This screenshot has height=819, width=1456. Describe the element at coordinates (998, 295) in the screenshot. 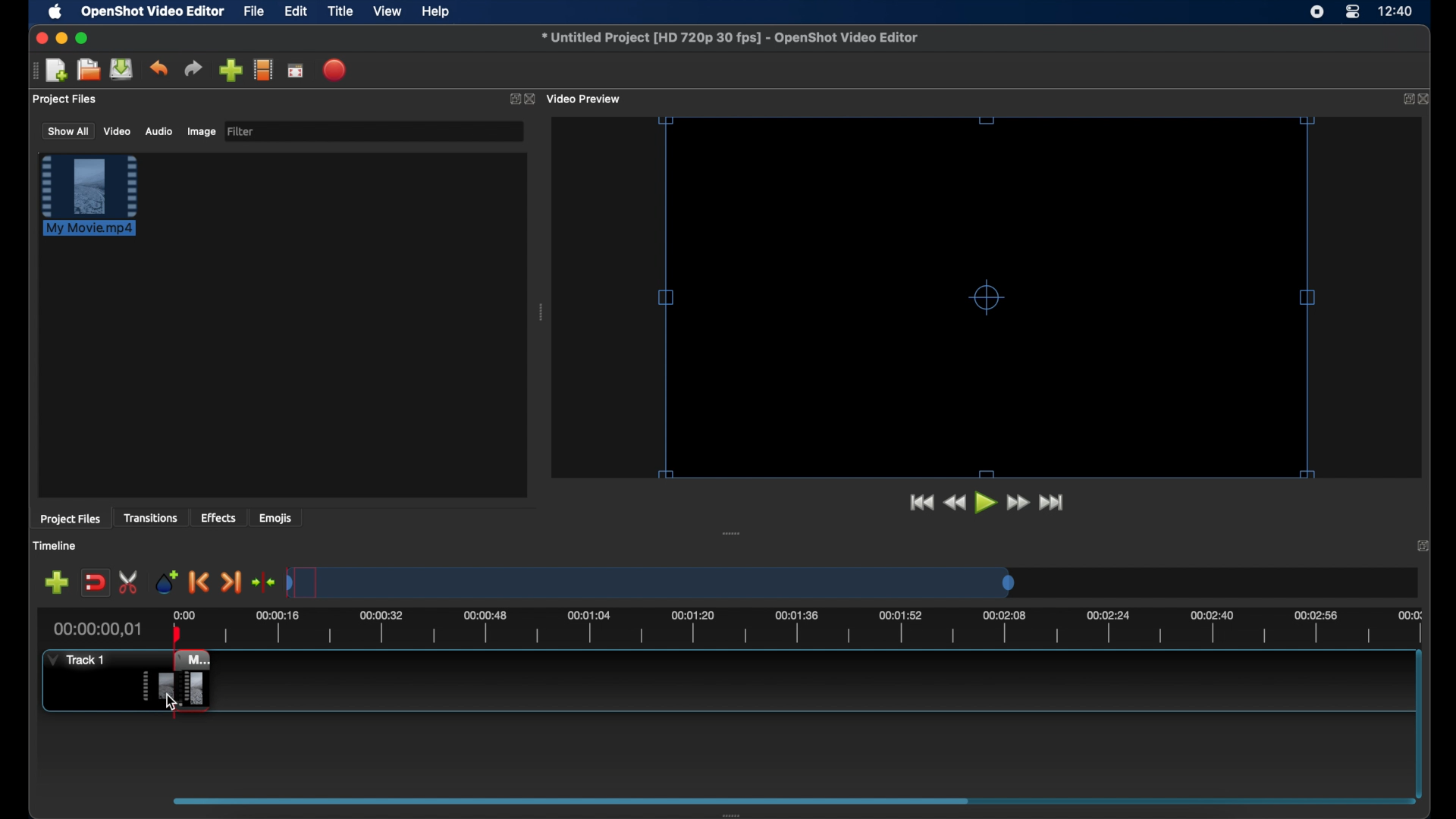

I see `resize  handles` at that location.